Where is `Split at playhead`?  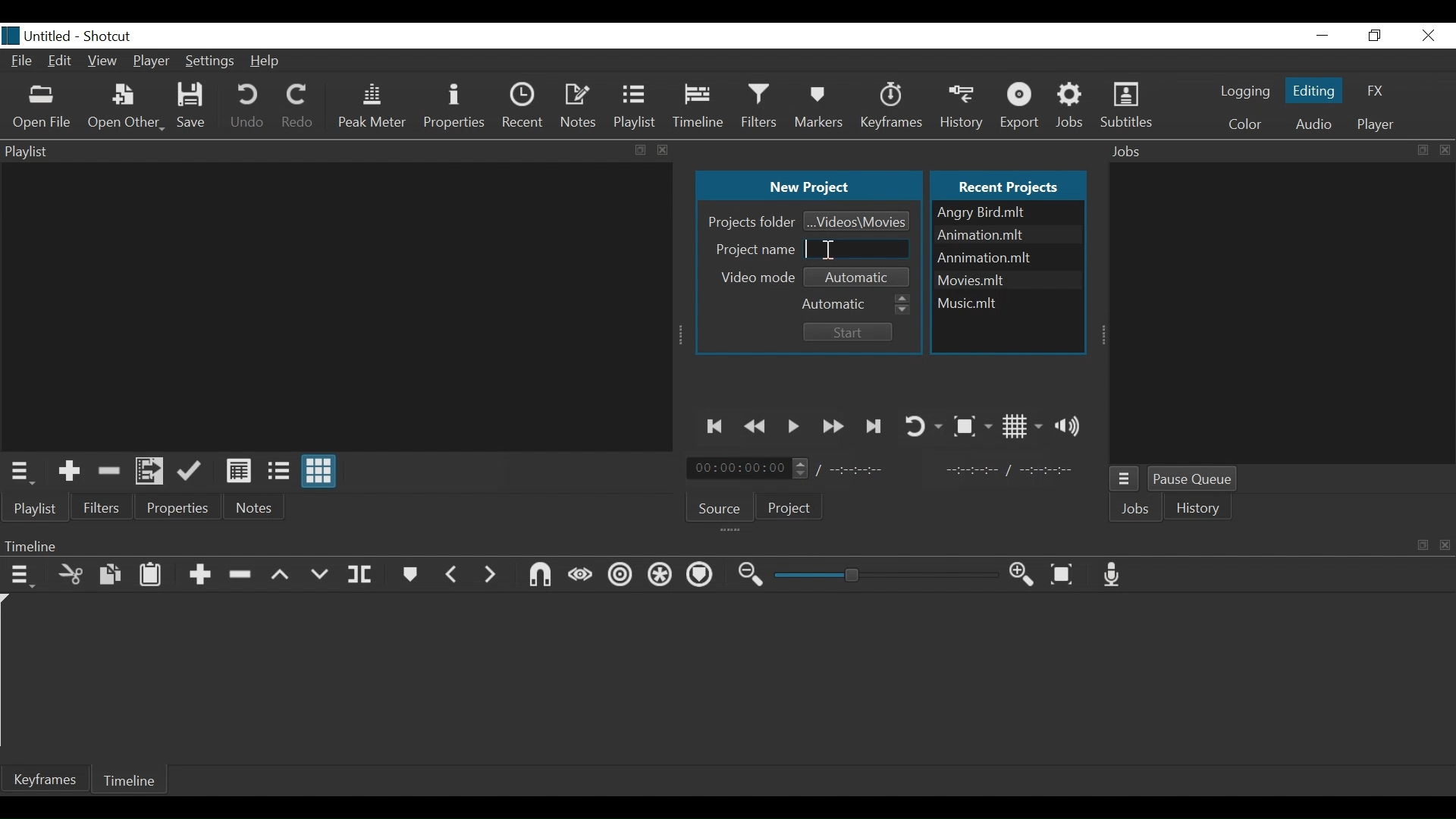 Split at playhead is located at coordinates (360, 575).